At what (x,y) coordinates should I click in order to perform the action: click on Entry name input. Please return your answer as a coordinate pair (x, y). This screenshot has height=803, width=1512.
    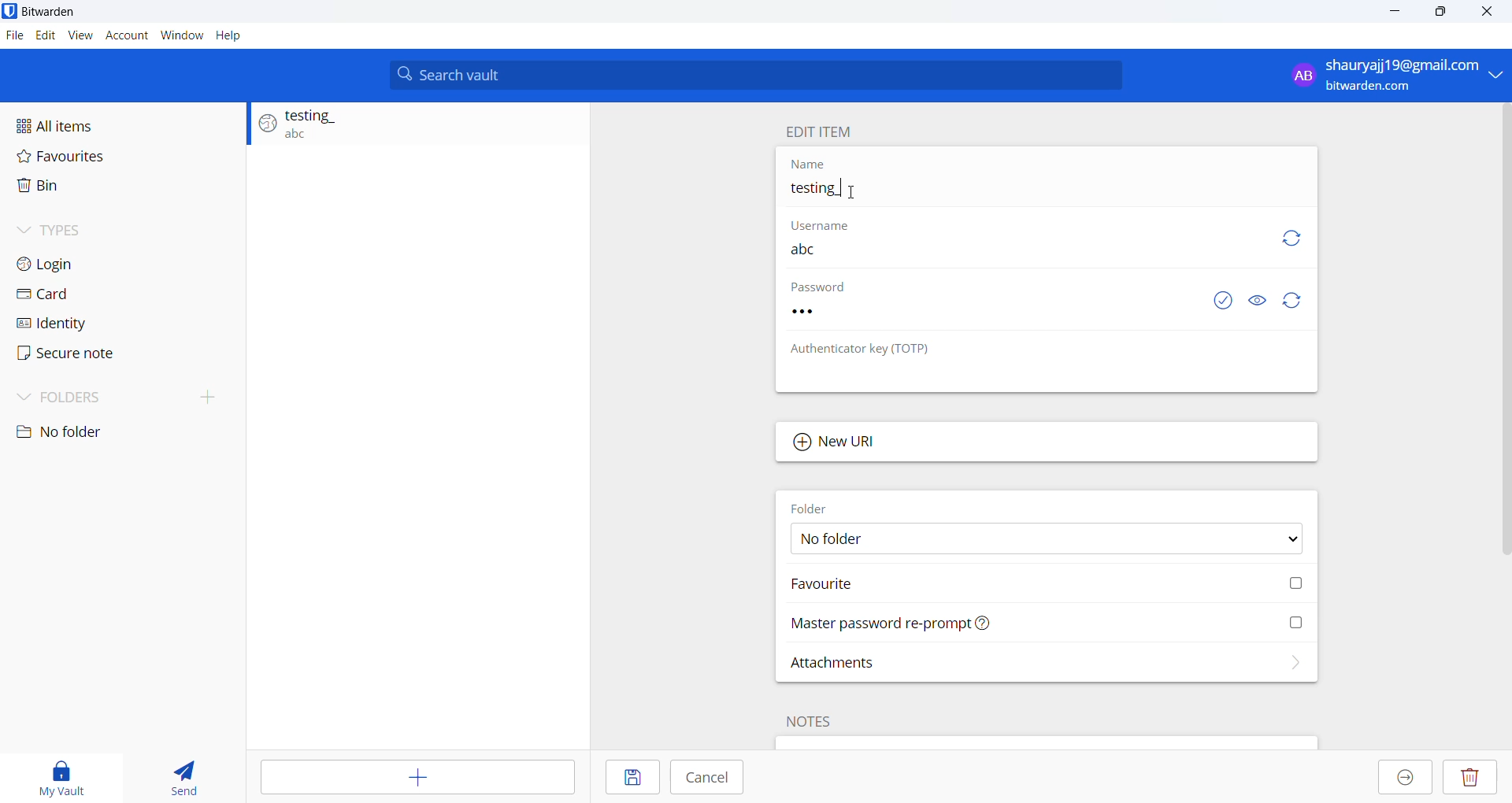
    Looking at the image, I should click on (1038, 191).